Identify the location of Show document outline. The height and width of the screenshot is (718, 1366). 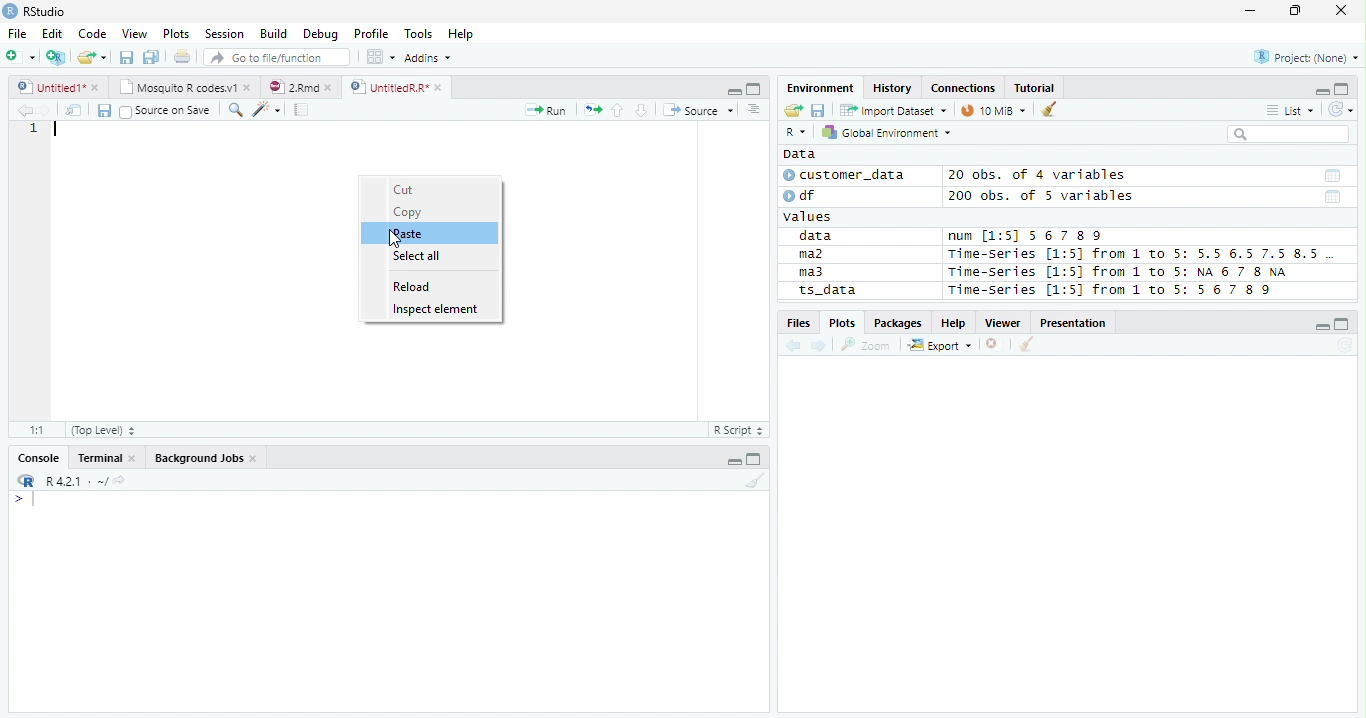
(752, 109).